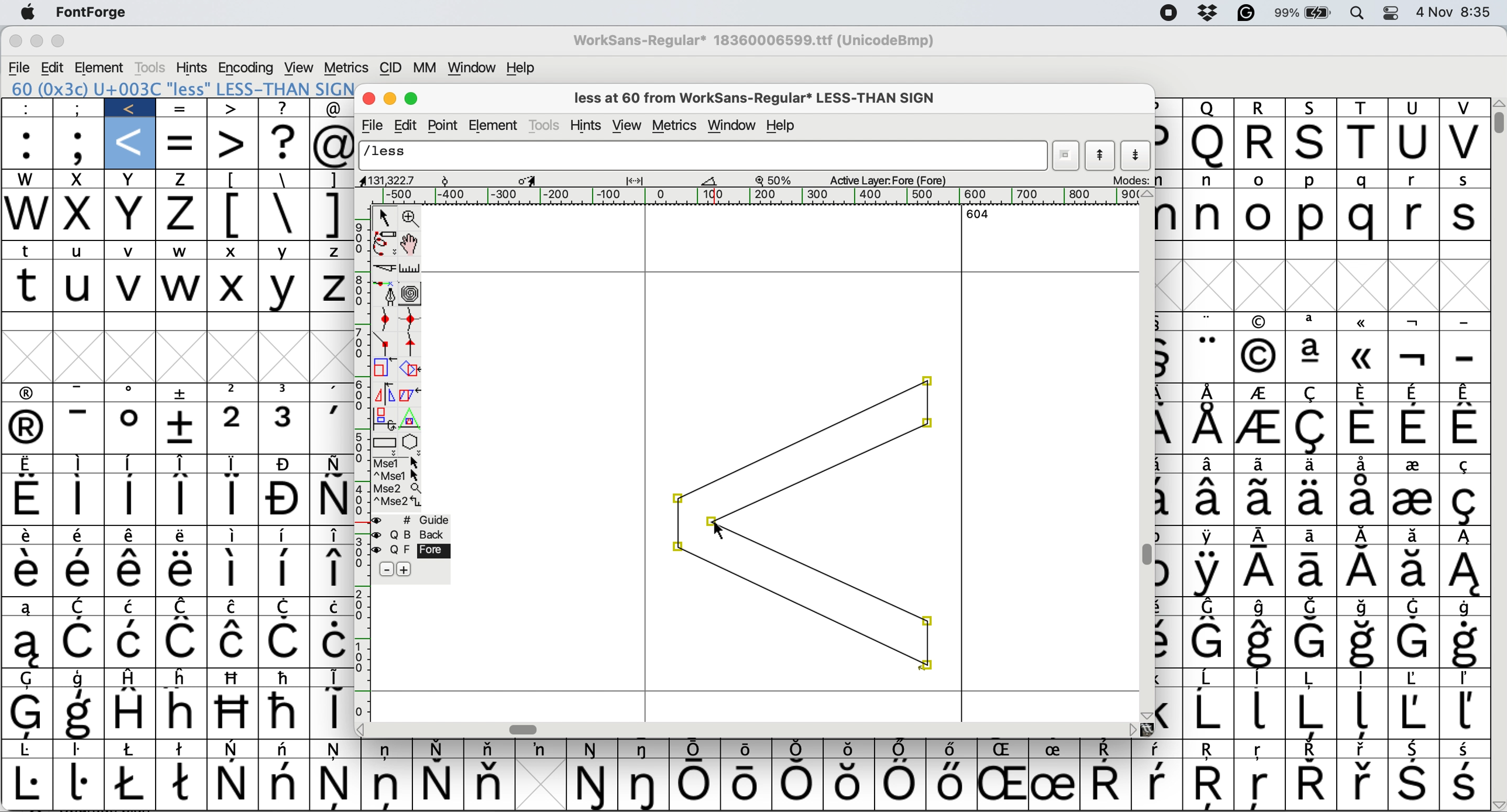  I want to click on Symbol, so click(1169, 680).